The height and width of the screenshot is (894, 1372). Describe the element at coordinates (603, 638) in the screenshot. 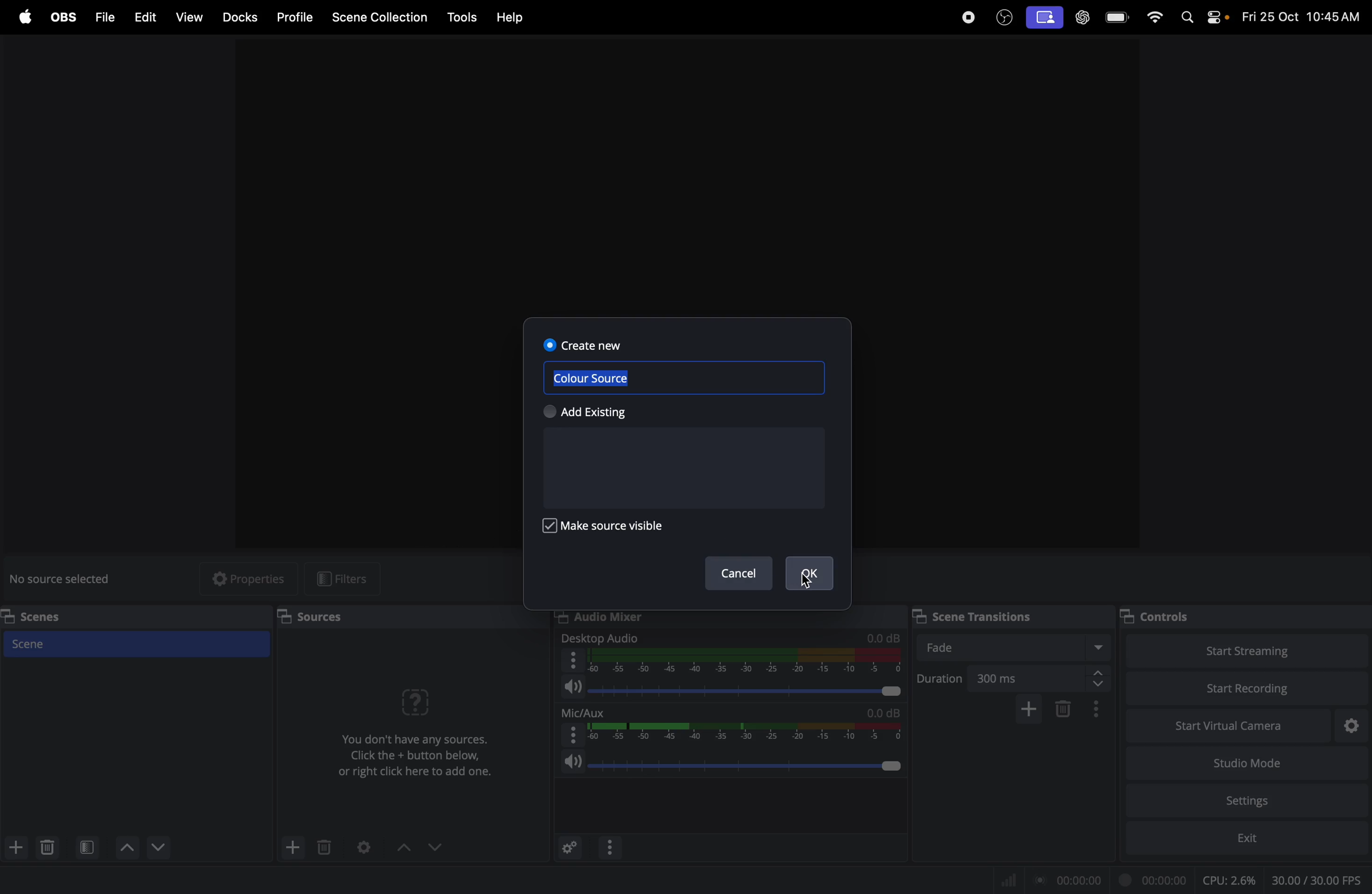

I see `desktop audio` at that location.